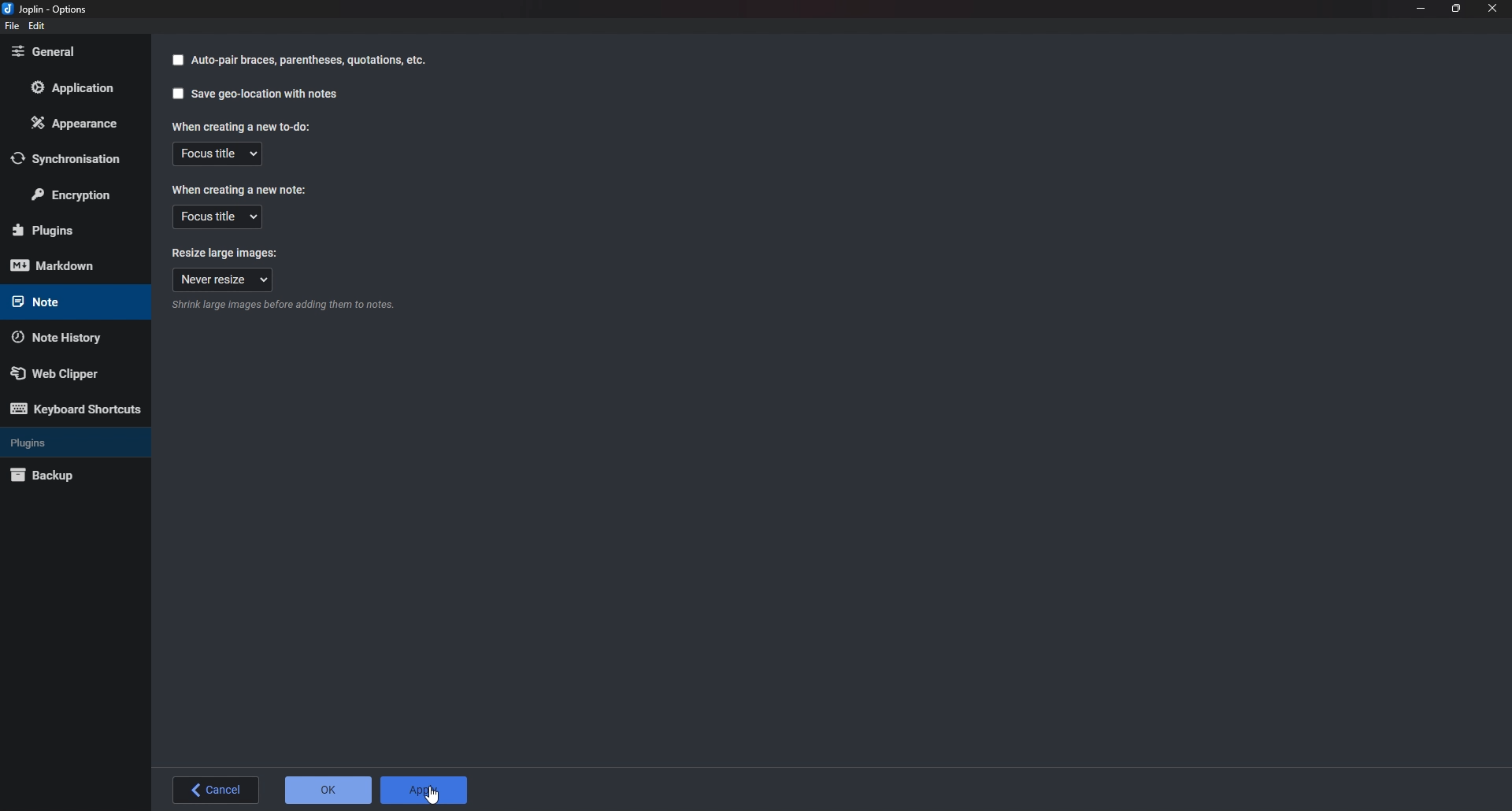 The width and height of the screenshot is (1512, 811). What do you see at coordinates (50, 8) in the screenshot?
I see `joplin` at bounding box center [50, 8].